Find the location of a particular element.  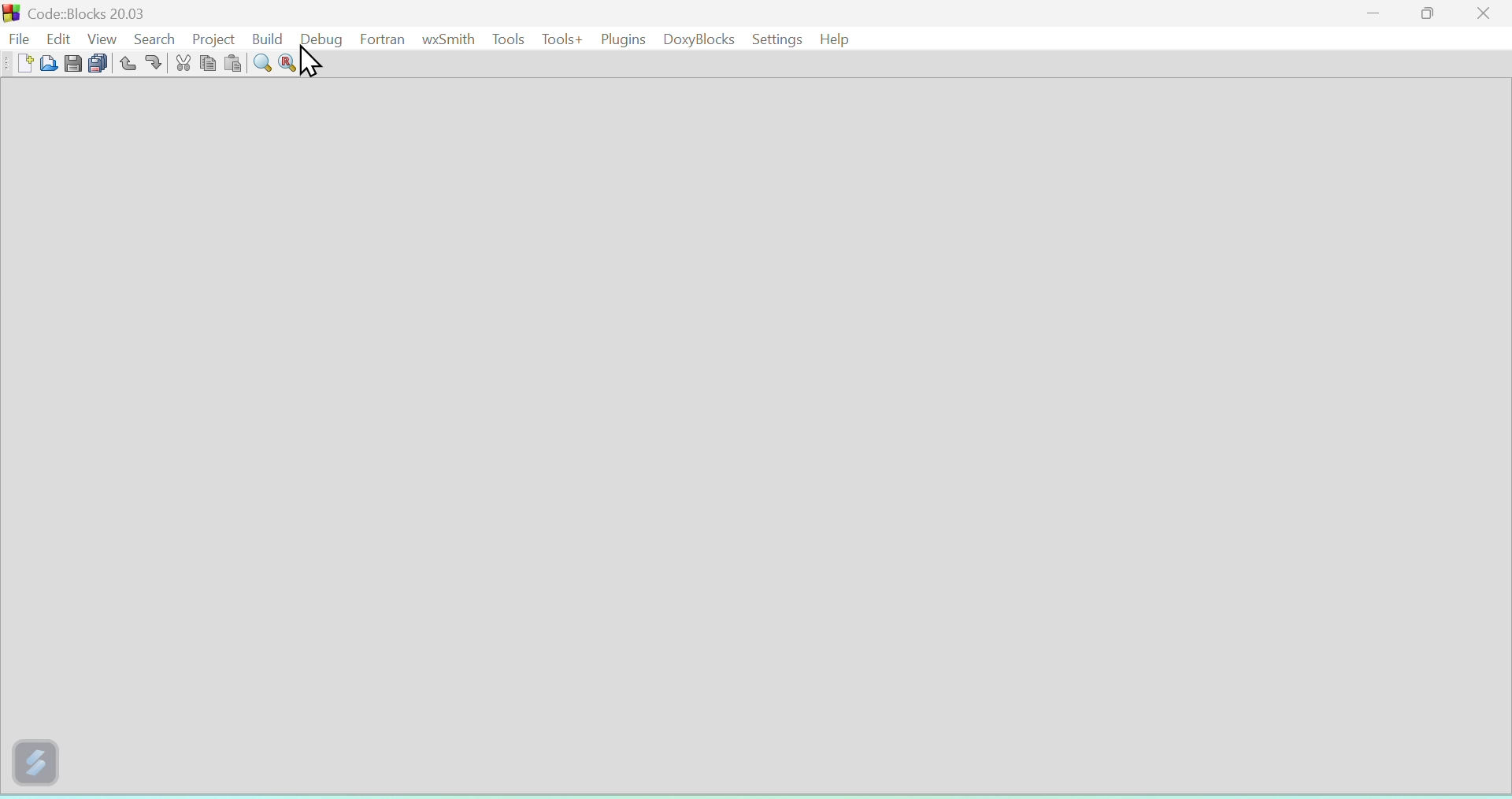

View is located at coordinates (102, 37).